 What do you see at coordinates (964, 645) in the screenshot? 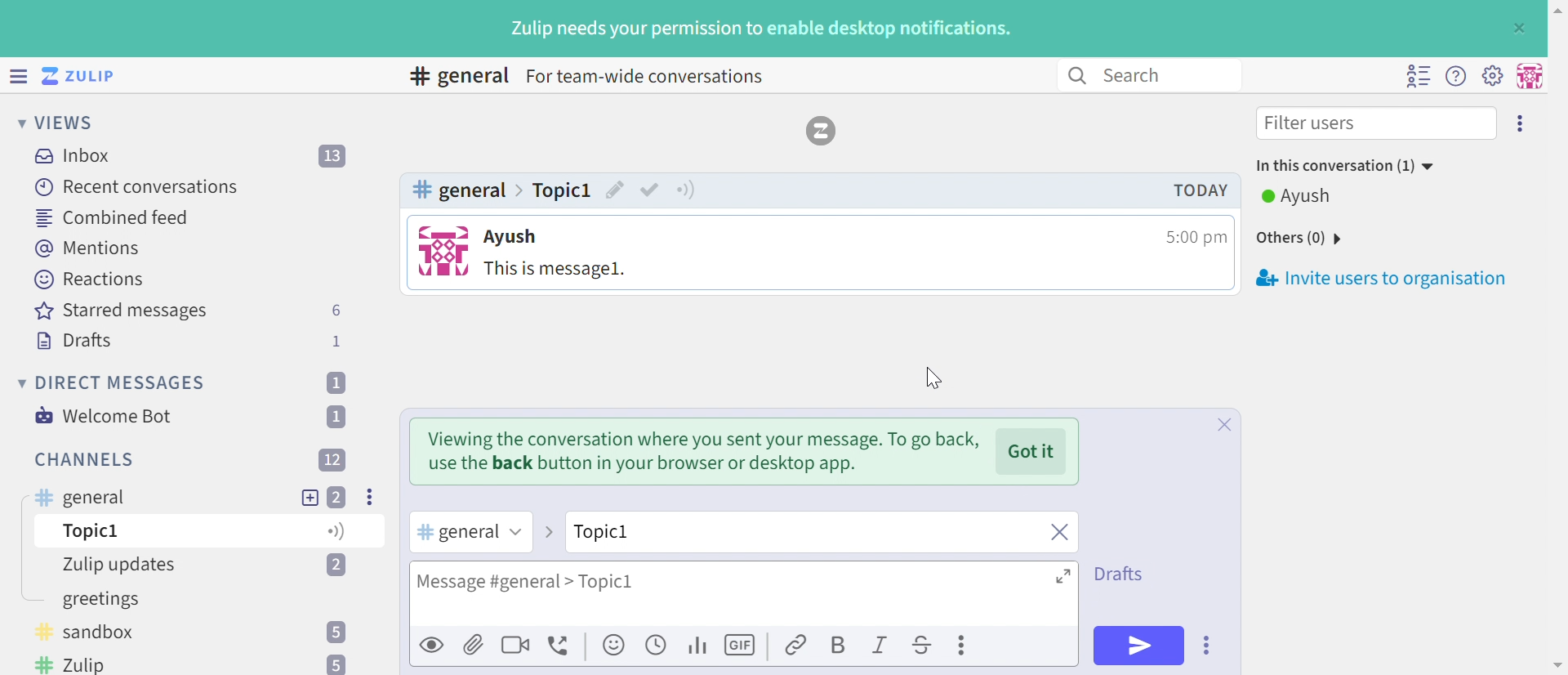
I see `More` at bounding box center [964, 645].